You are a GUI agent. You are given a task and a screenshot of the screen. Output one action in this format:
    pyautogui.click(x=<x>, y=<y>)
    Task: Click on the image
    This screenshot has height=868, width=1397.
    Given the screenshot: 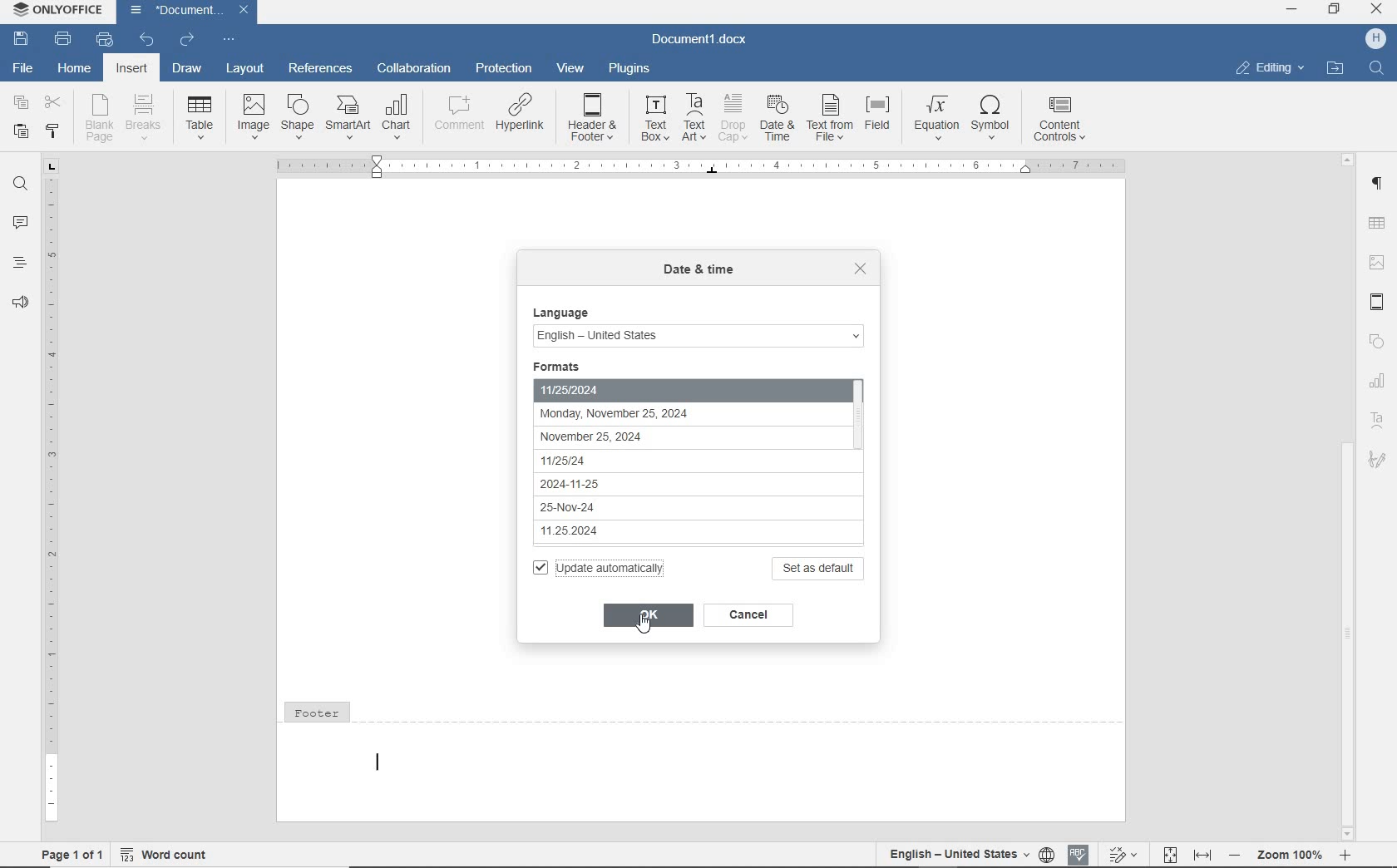 What is the action you would take?
    pyautogui.click(x=1380, y=267)
    